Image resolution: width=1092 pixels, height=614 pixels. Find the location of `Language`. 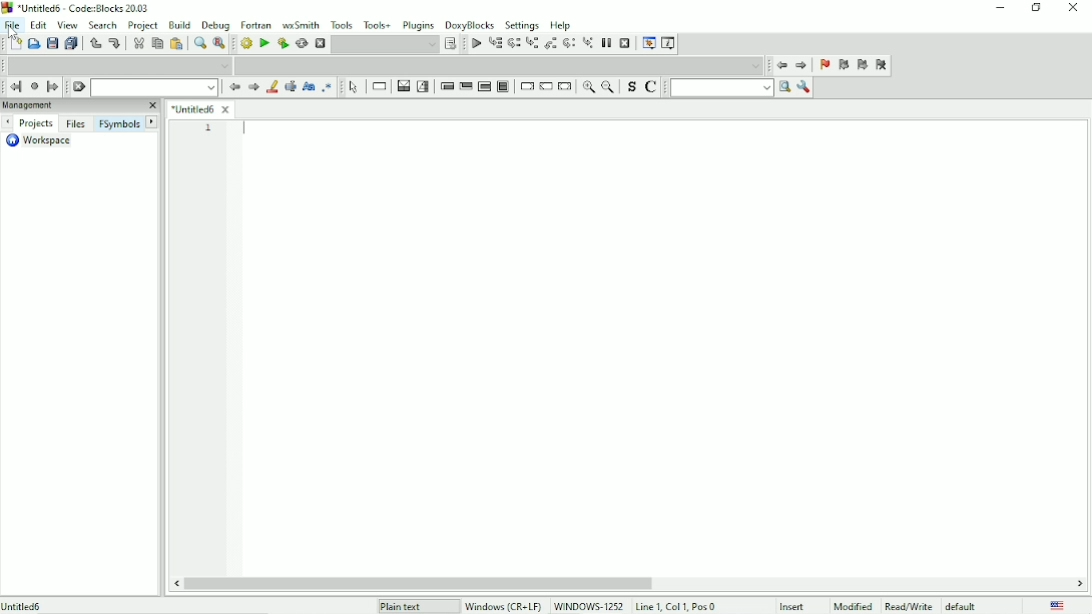

Language is located at coordinates (1058, 605).